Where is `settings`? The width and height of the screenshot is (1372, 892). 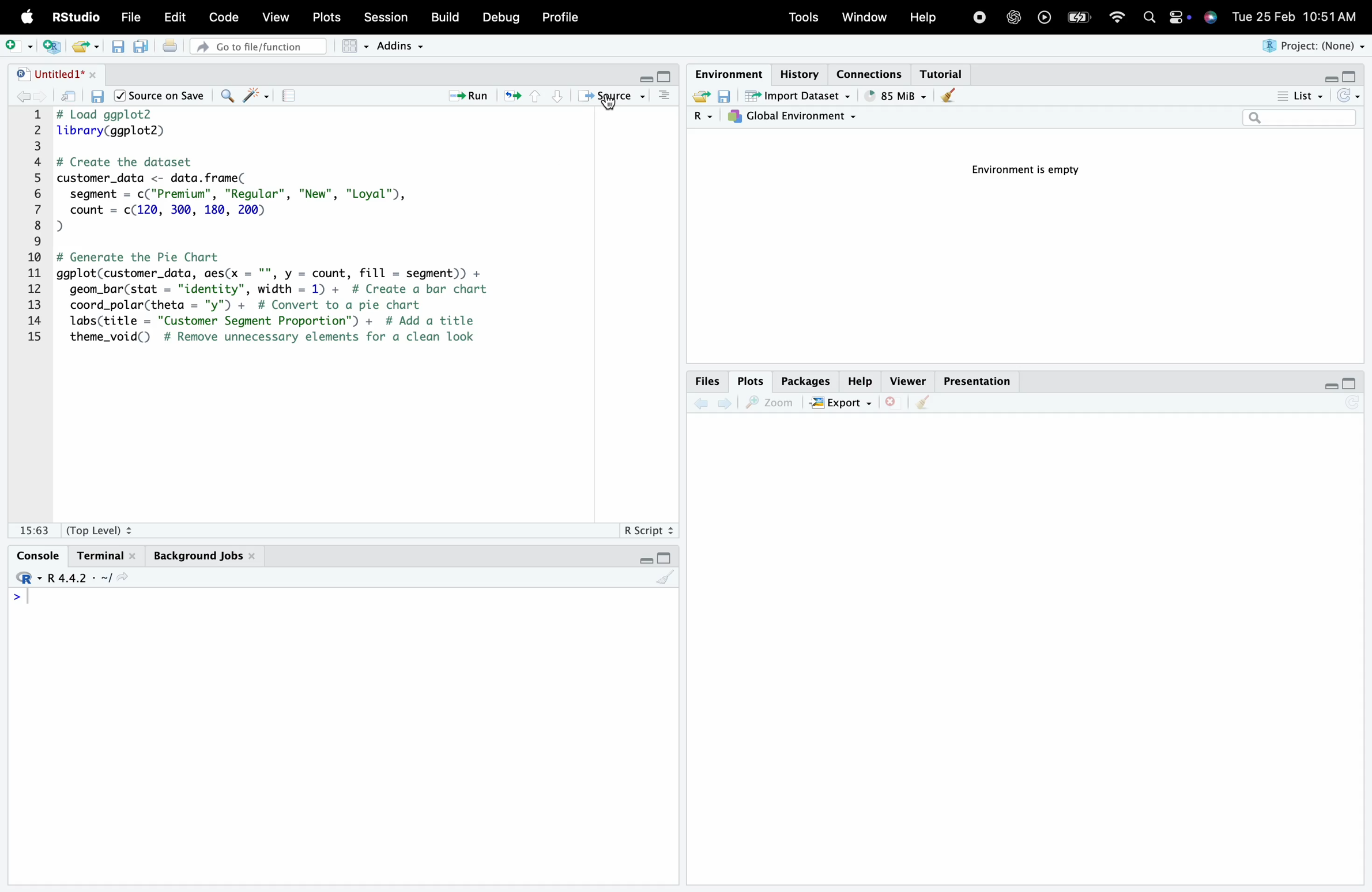 settings is located at coordinates (1178, 19).